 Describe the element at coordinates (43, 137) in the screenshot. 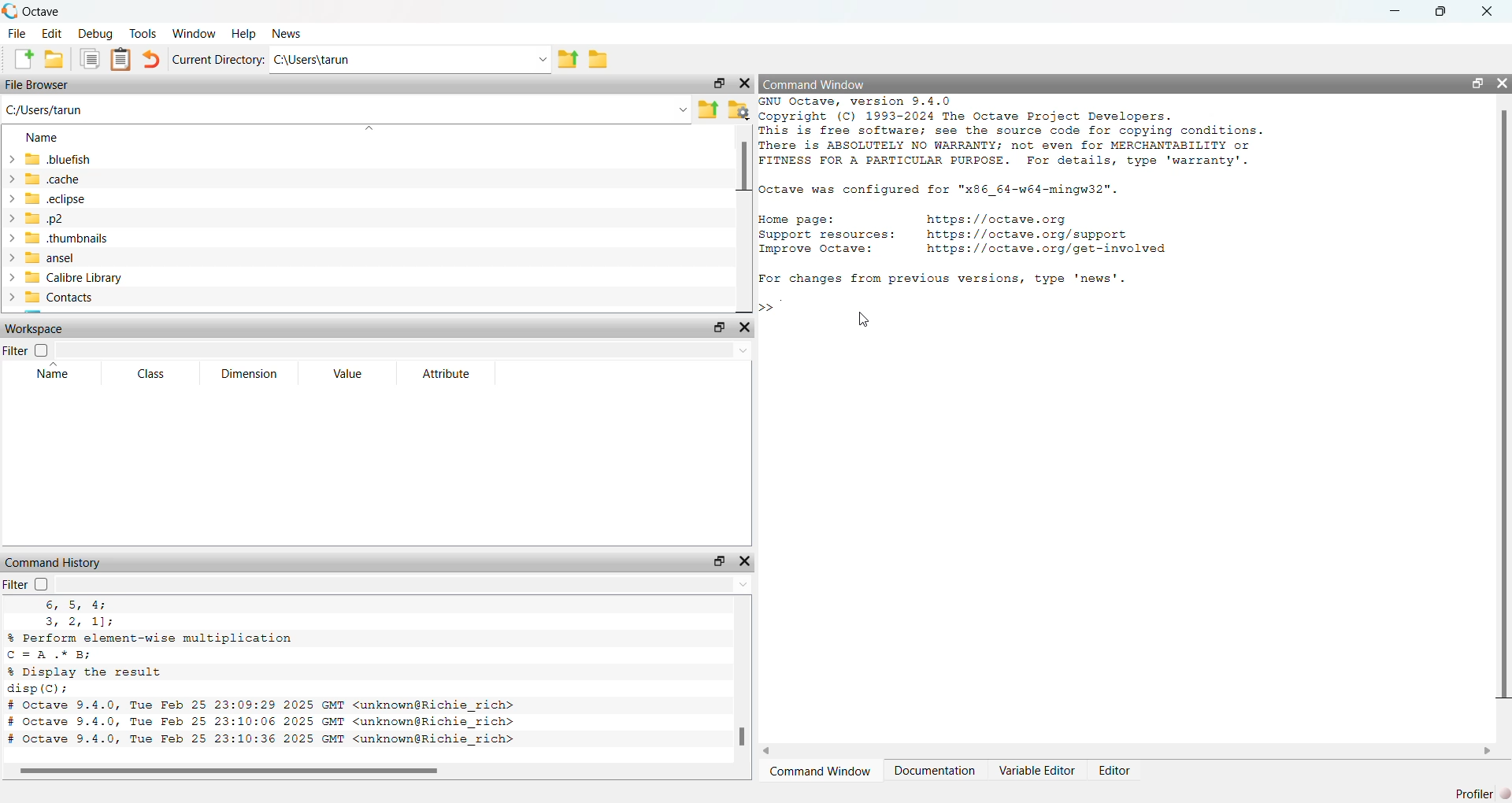

I see `Name` at that location.